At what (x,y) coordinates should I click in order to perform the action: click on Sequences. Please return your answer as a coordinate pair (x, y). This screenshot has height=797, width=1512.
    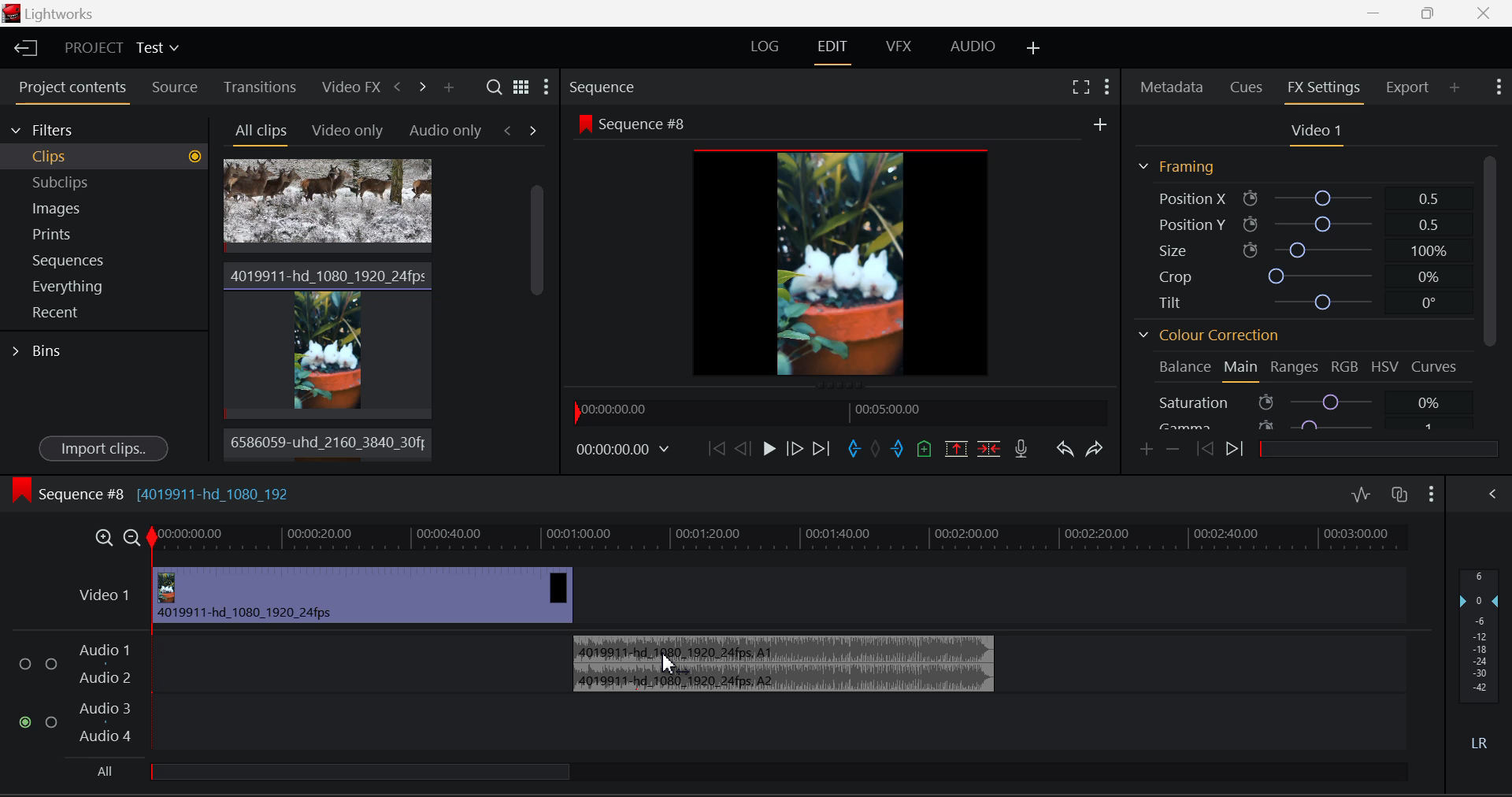
    Looking at the image, I should click on (106, 259).